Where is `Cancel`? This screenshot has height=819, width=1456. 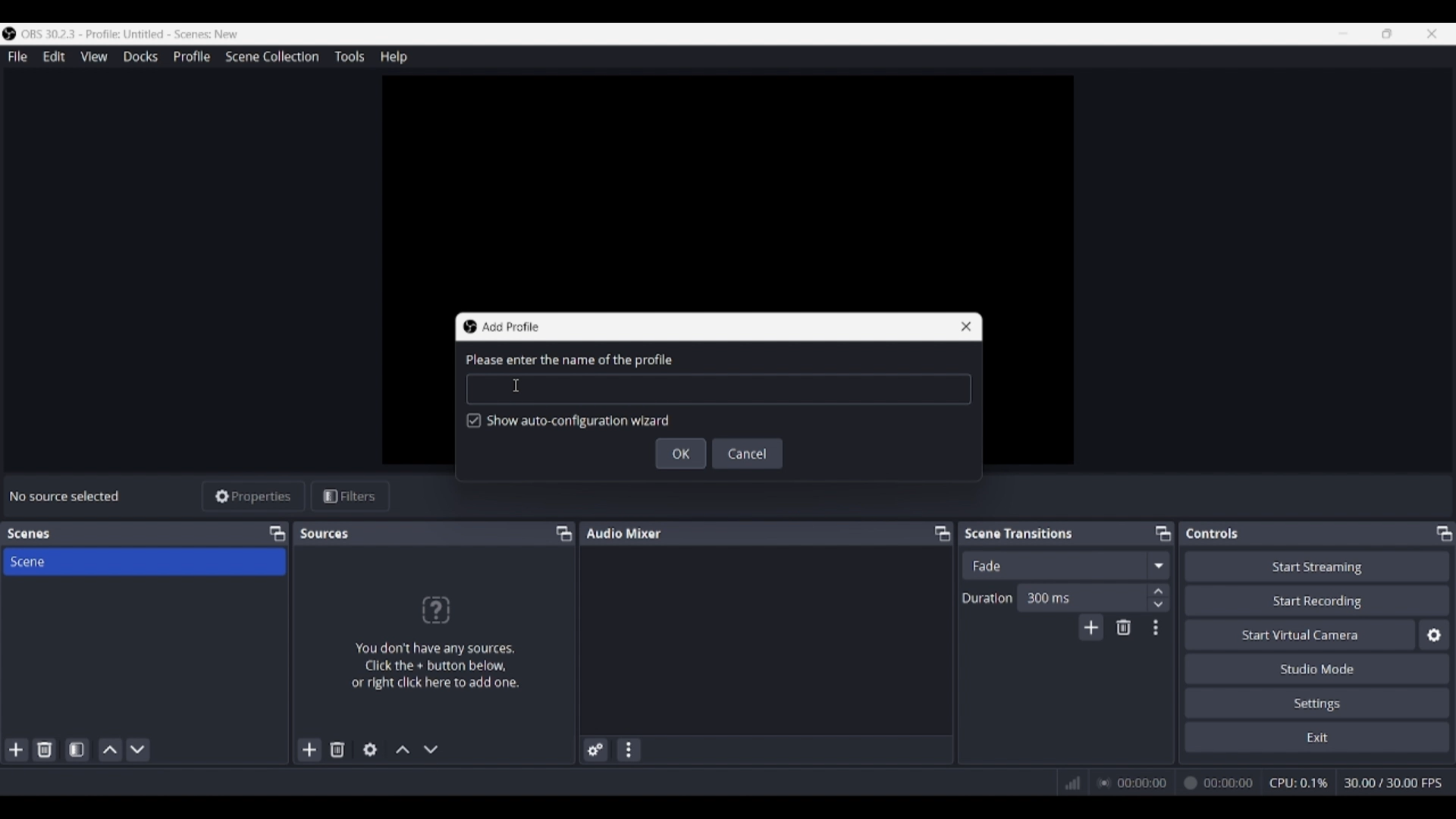
Cancel is located at coordinates (748, 453).